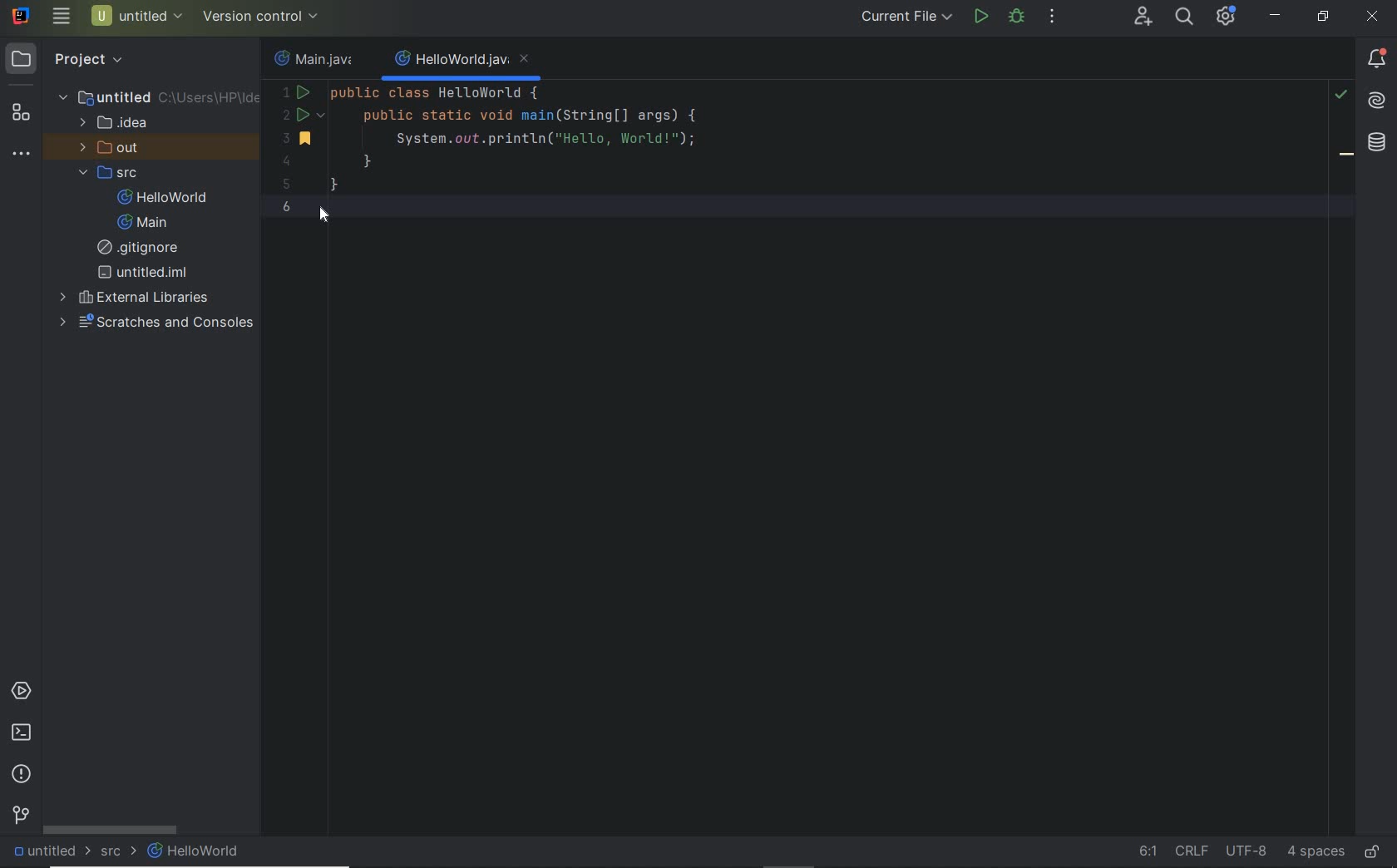 The image size is (1397, 868). I want to click on idea, so click(116, 121).